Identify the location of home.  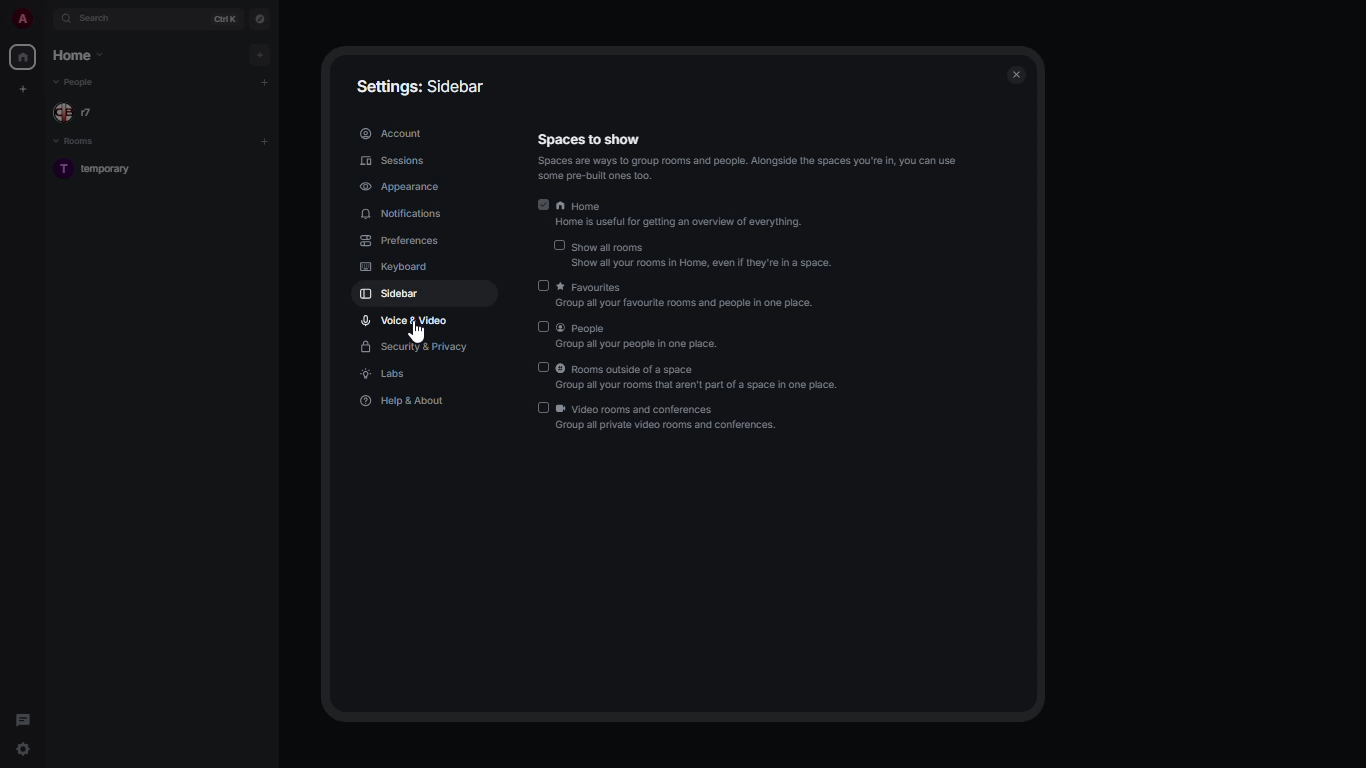
(22, 57).